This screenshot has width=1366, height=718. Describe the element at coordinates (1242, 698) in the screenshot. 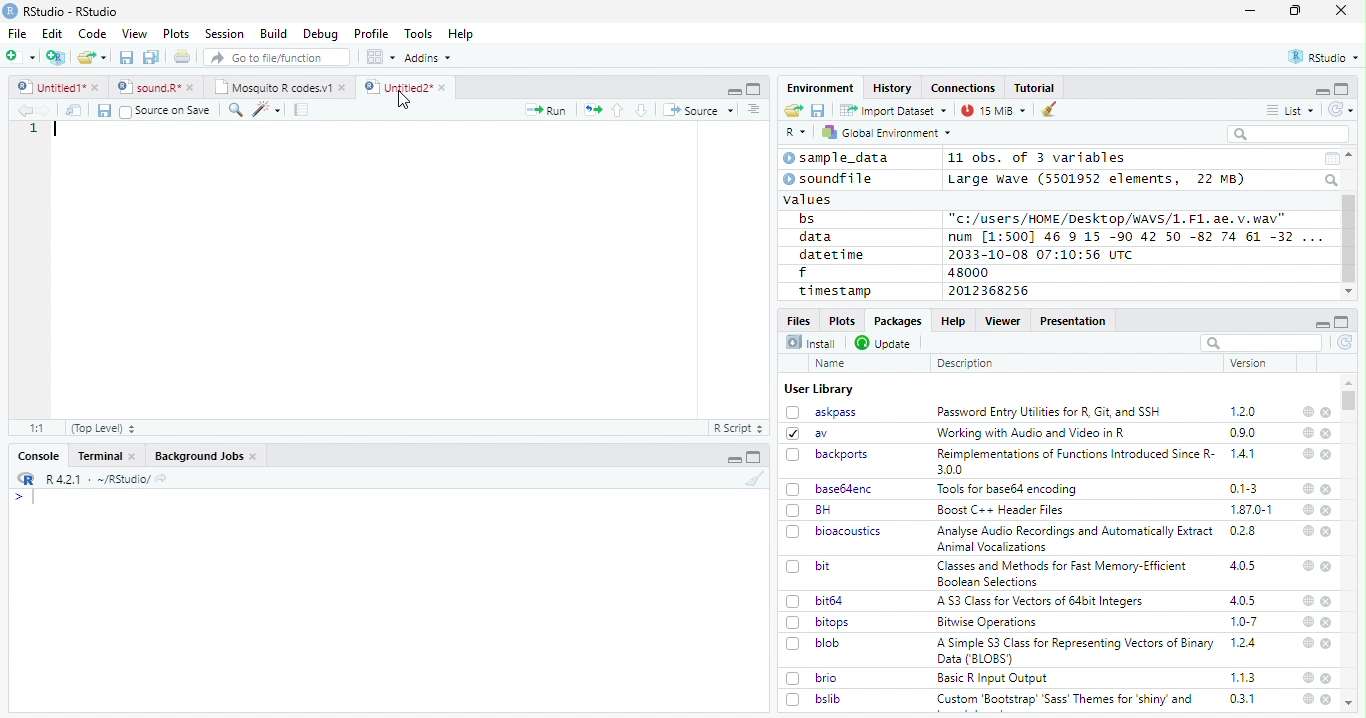

I see `0.3.1` at that location.